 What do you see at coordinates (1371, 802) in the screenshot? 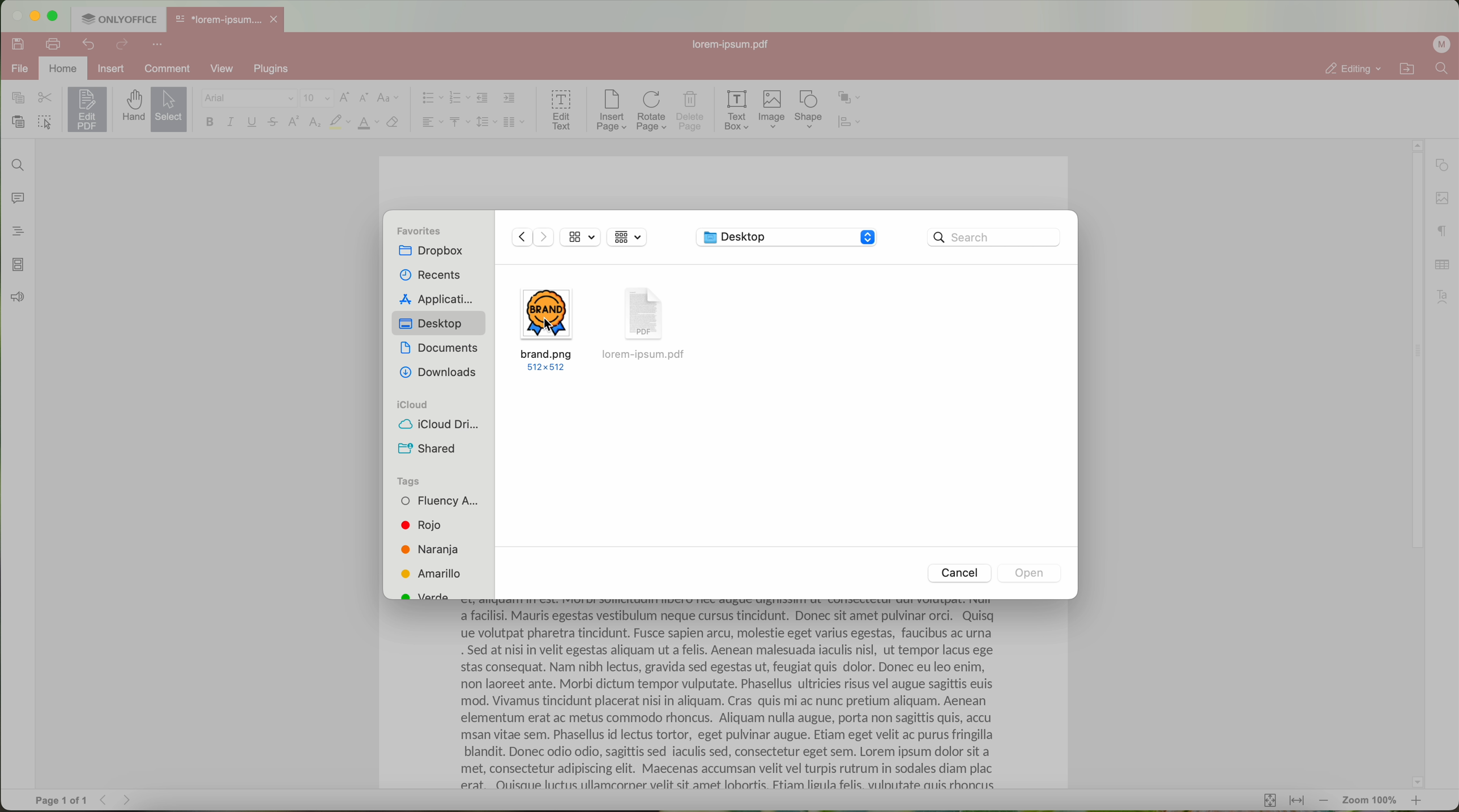
I see `zoom 100%` at bounding box center [1371, 802].